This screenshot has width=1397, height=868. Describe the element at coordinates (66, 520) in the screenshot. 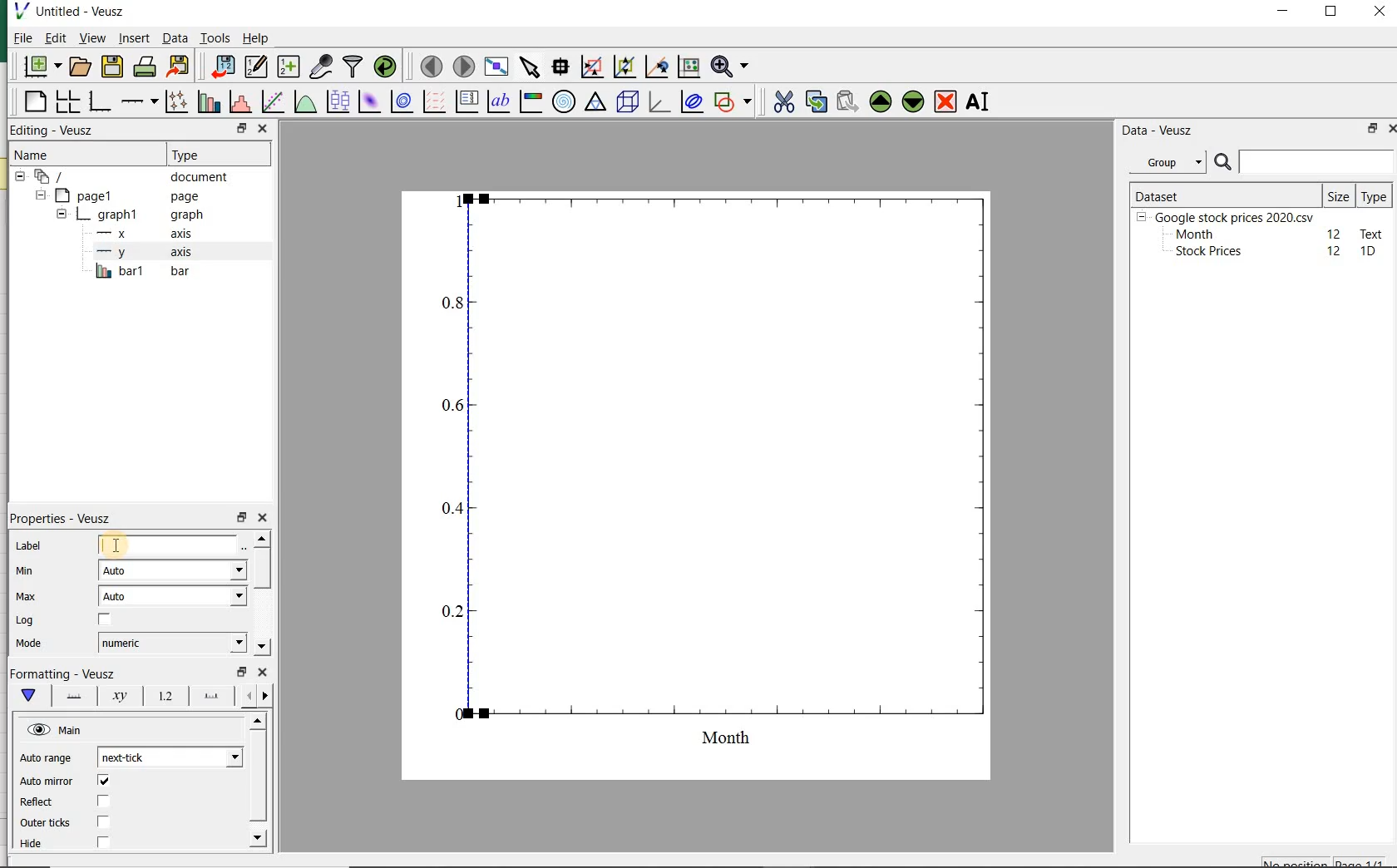

I see `Properties - Veusz` at that location.